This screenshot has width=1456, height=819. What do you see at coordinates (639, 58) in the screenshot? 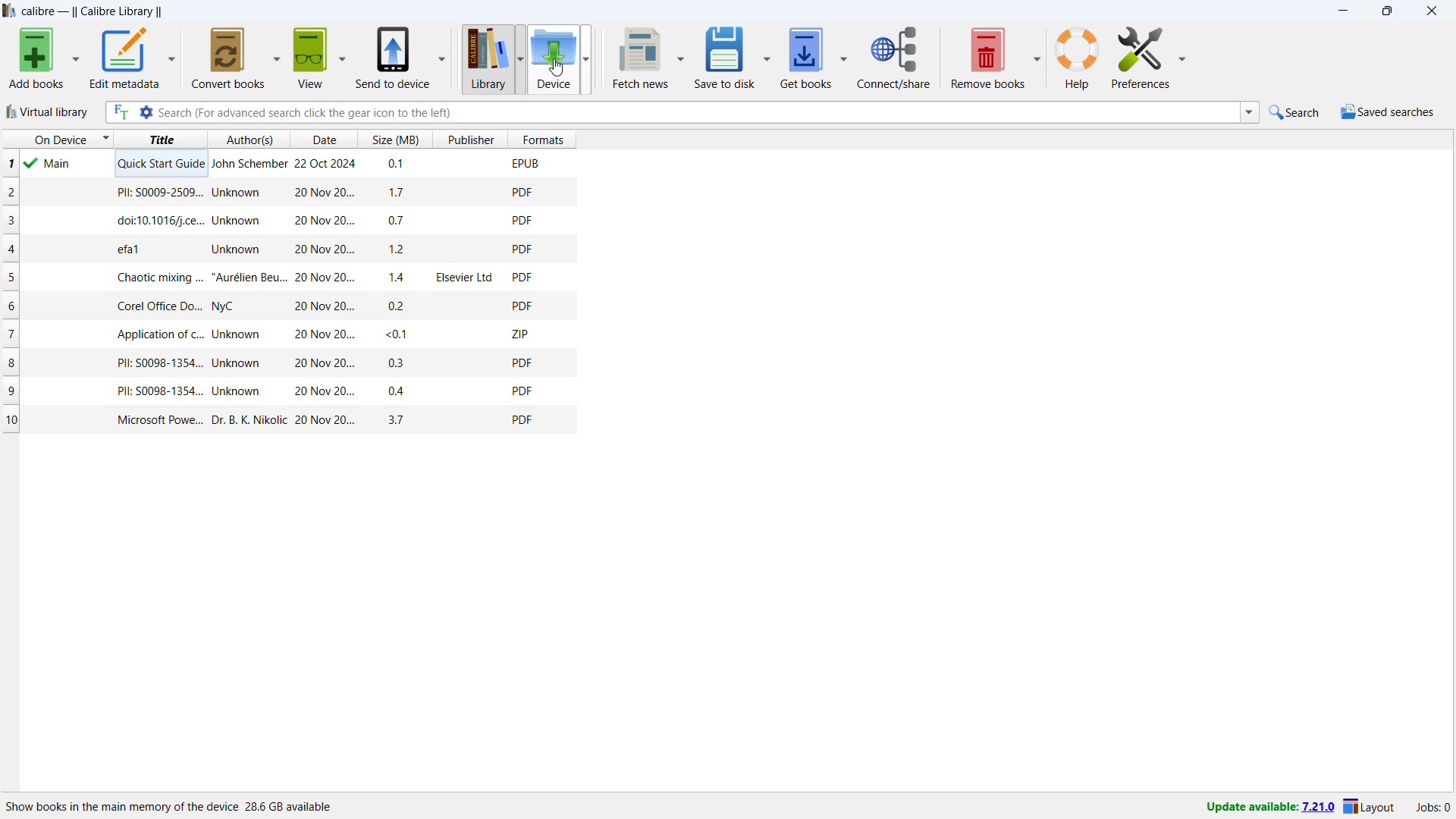
I see `fetch news` at bounding box center [639, 58].